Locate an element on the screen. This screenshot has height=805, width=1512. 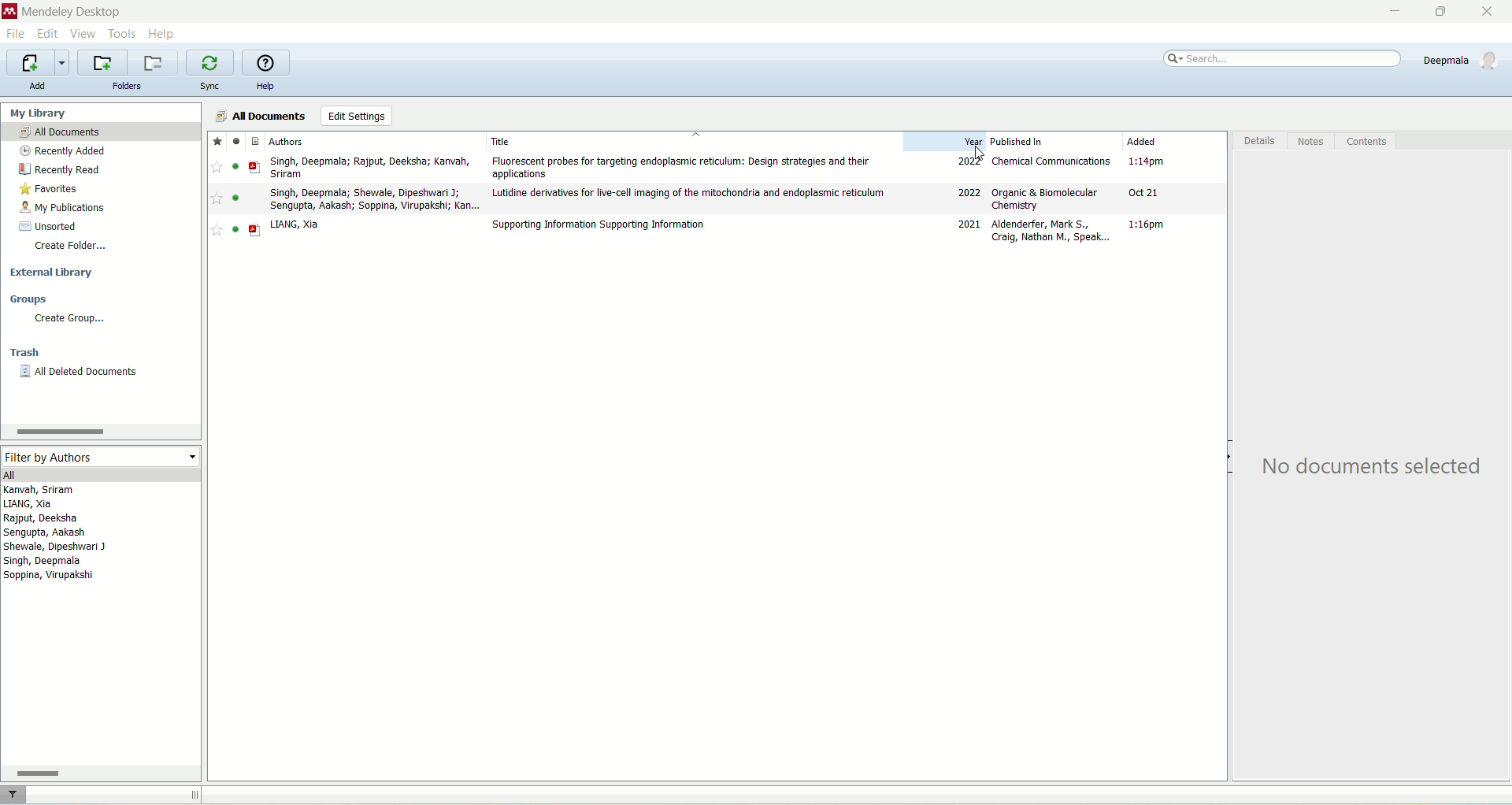
2022 is located at coordinates (970, 191).